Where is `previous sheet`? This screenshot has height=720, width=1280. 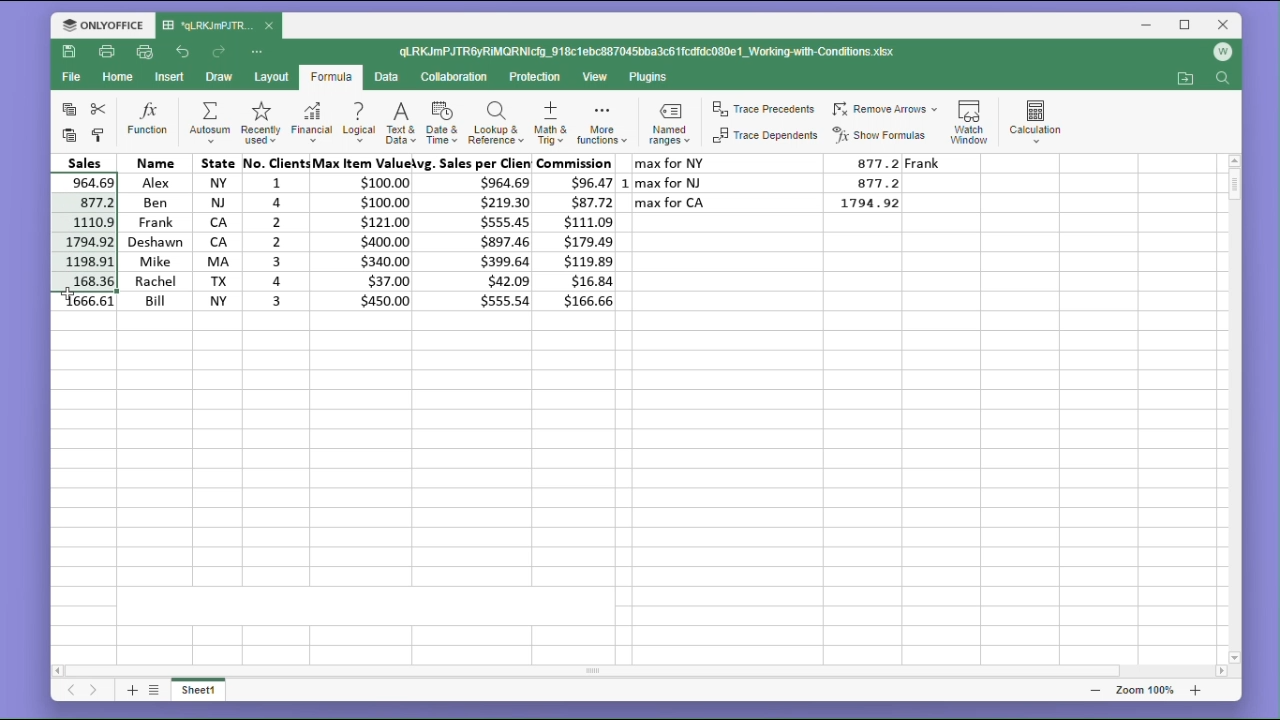
previous sheet is located at coordinates (70, 693).